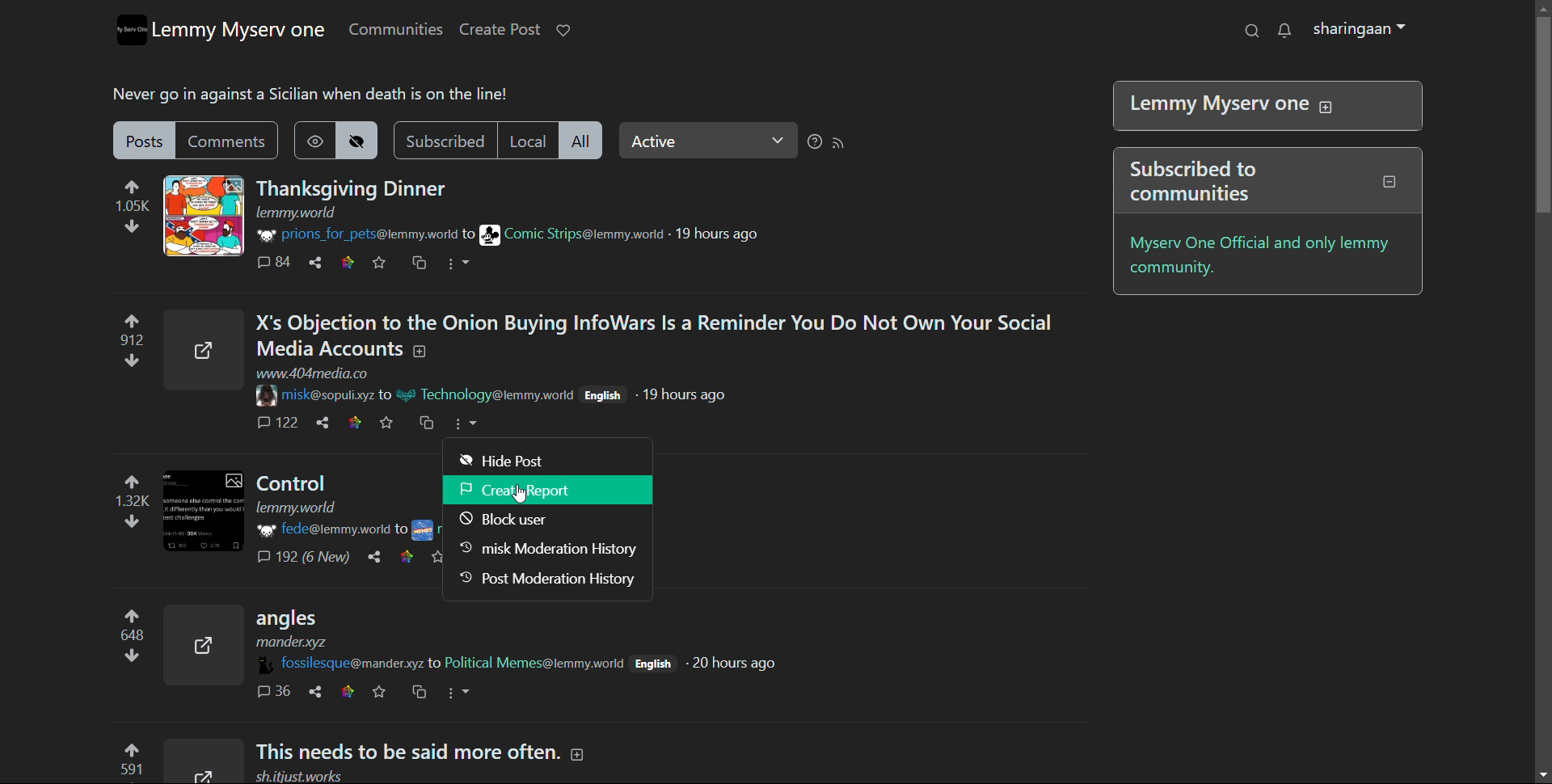 Image resolution: width=1552 pixels, height=784 pixels. What do you see at coordinates (348, 262) in the screenshot?
I see `link` at bounding box center [348, 262].